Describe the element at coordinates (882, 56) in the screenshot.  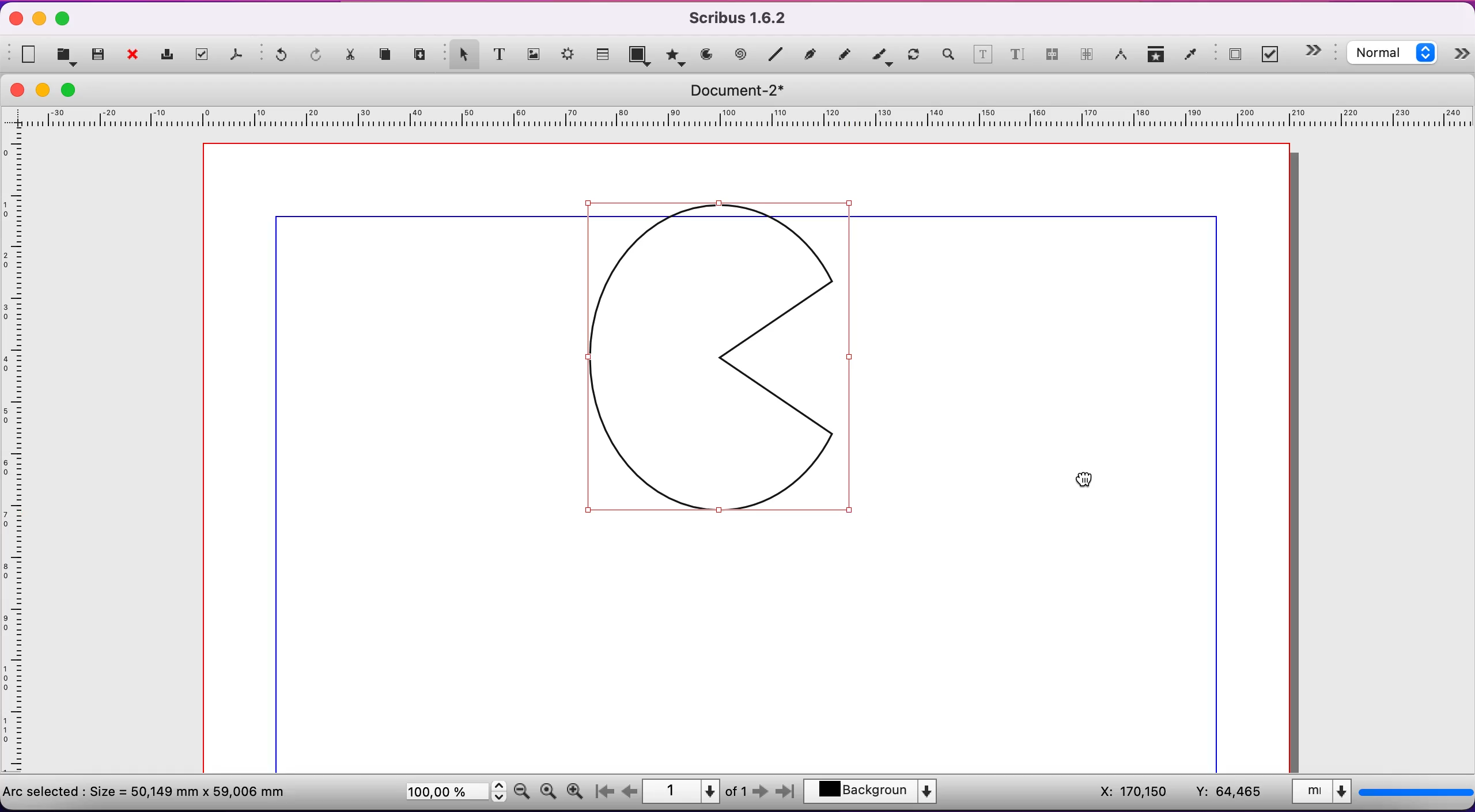
I see `calligraphic line` at that location.